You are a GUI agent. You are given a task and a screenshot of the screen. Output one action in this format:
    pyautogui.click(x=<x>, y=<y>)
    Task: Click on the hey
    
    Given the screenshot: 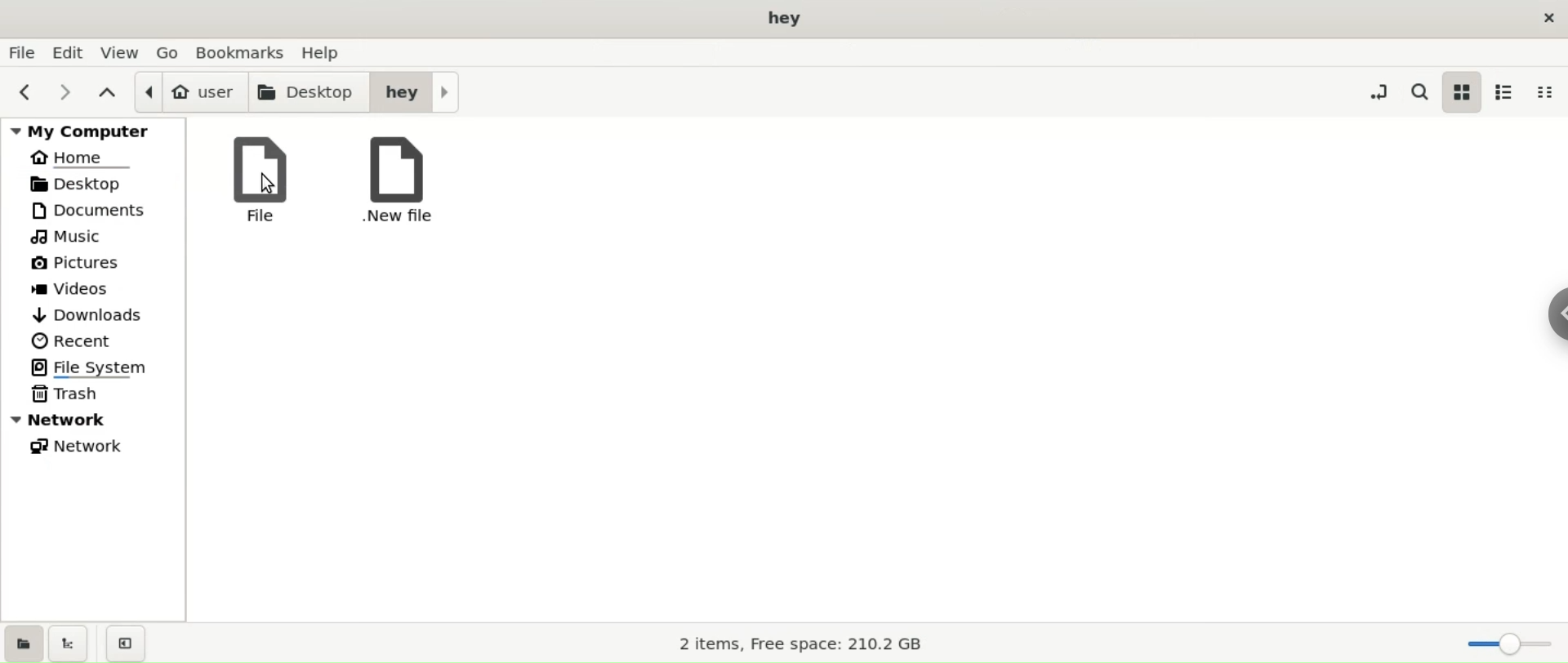 What is the action you would take?
    pyautogui.click(x=413, y=91)
    